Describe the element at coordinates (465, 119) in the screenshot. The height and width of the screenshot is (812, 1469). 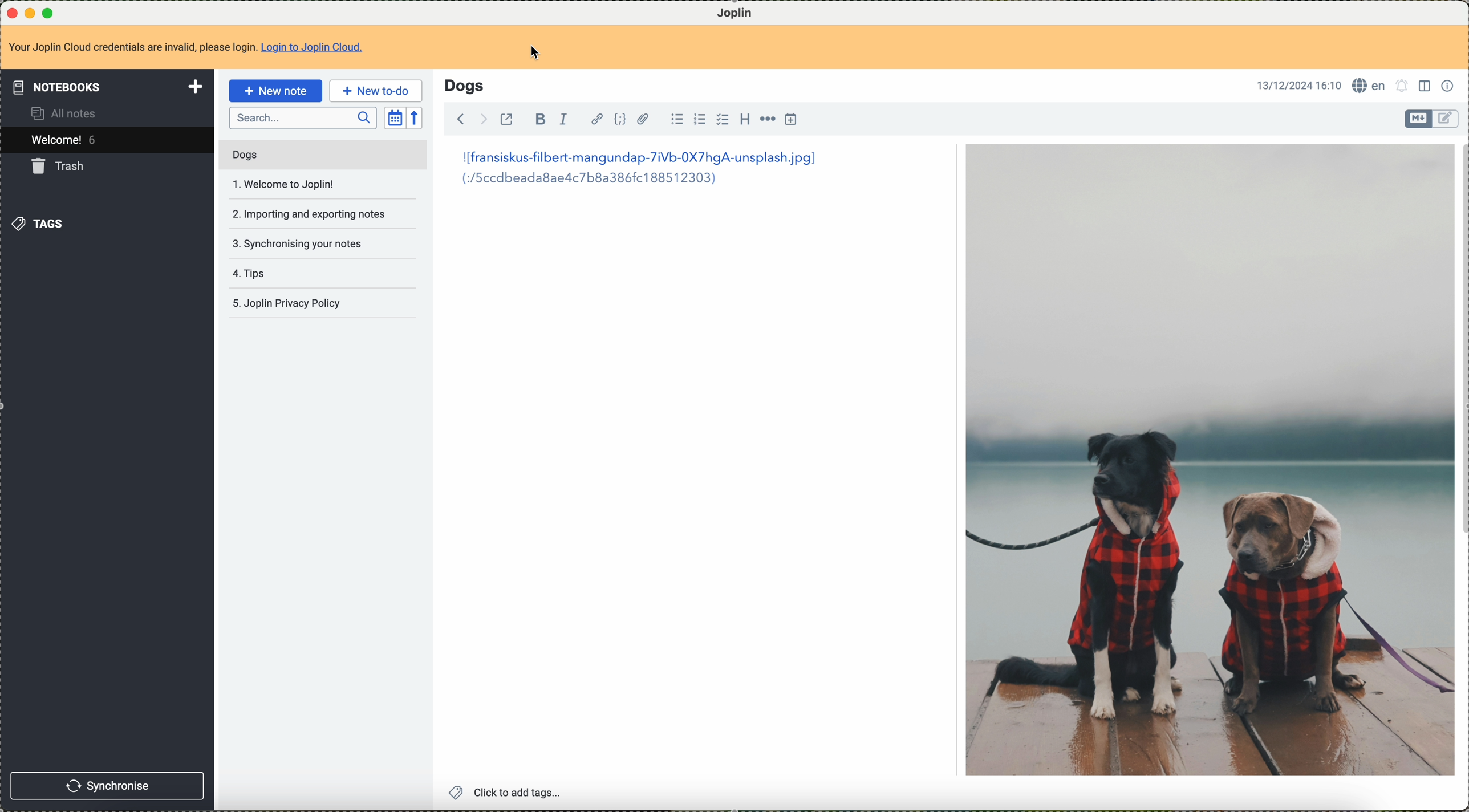
I see `back` at that location.